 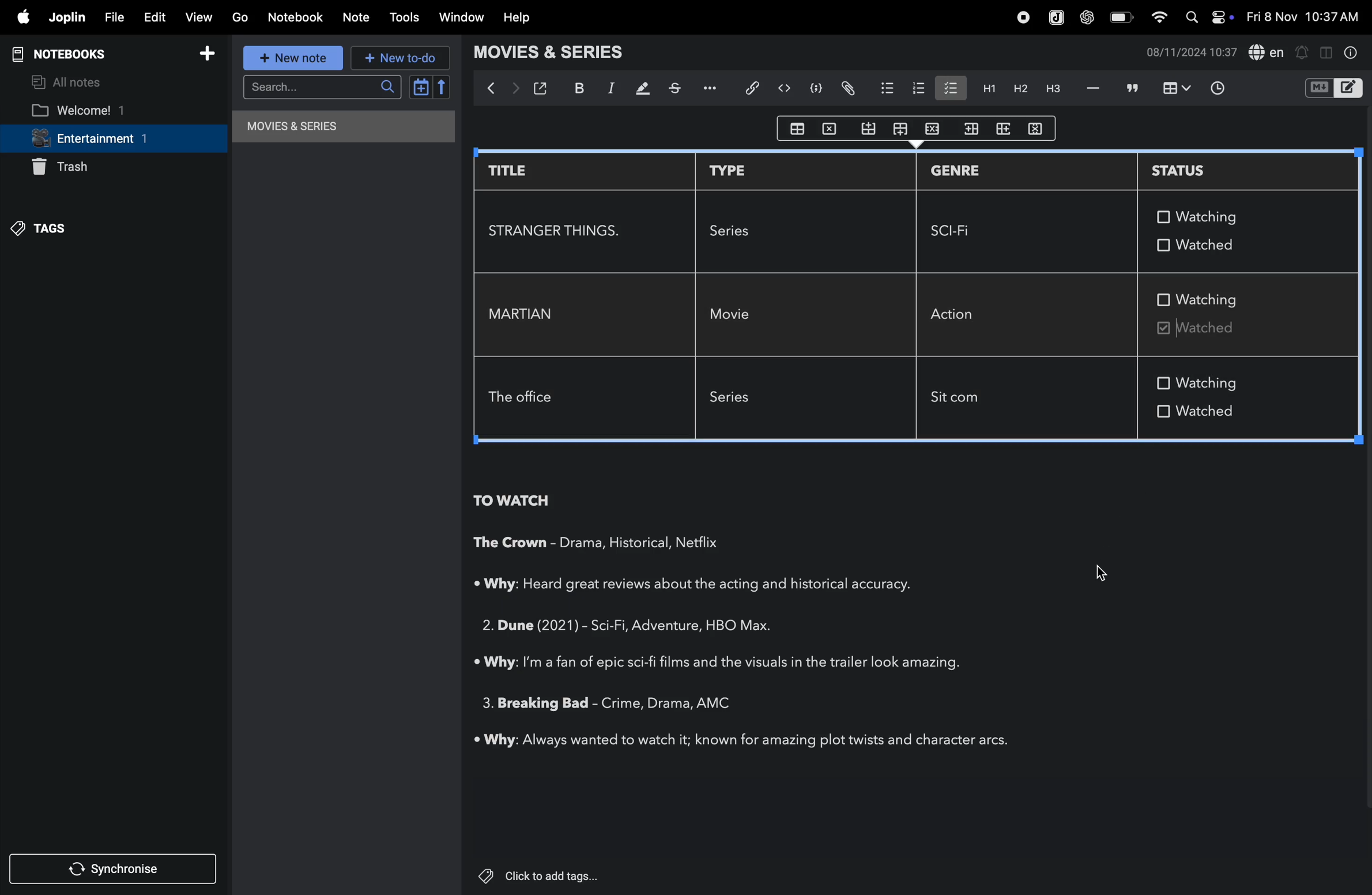 What do you see at coordinates (525, 314) in the screenshot?
I see `martian` at bounding box center [525, 314].